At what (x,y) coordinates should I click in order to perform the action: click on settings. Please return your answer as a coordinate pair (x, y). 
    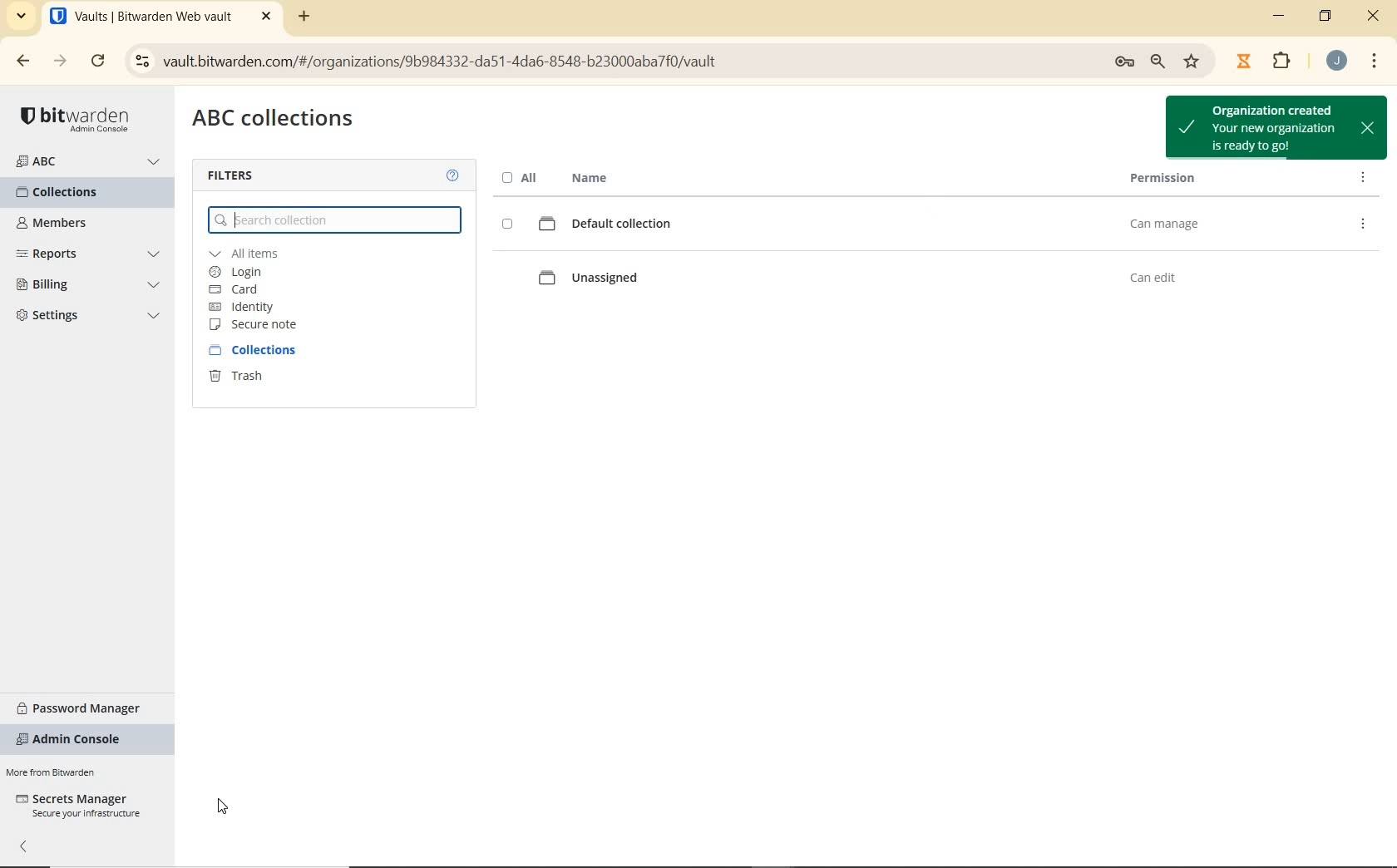
    Looking at the image, I should click on (85, 282).